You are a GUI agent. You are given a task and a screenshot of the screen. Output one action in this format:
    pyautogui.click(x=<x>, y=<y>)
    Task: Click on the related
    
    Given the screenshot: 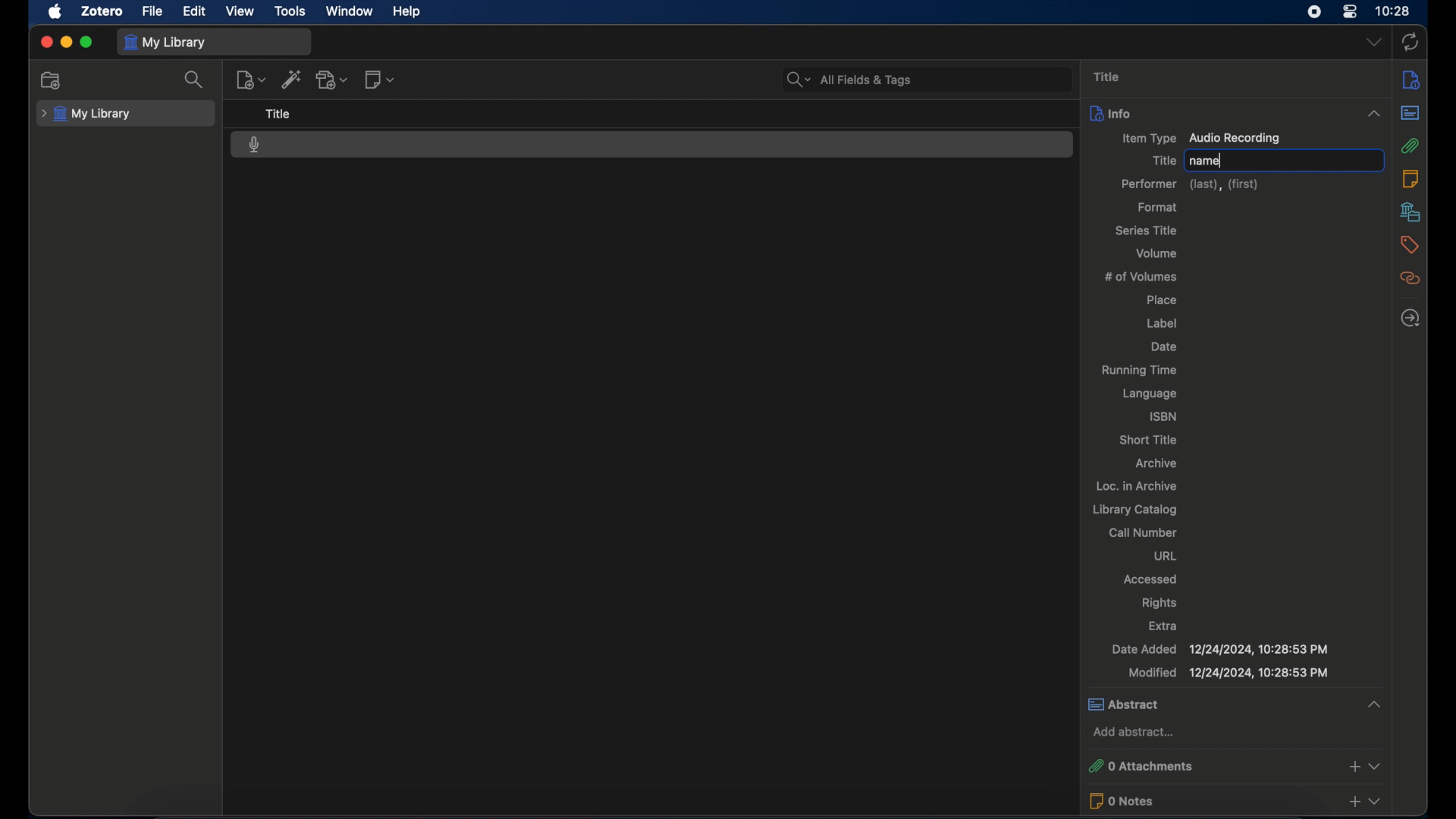 What is the action you would take?
    pyautogui.click(x=1412, y=278)
    